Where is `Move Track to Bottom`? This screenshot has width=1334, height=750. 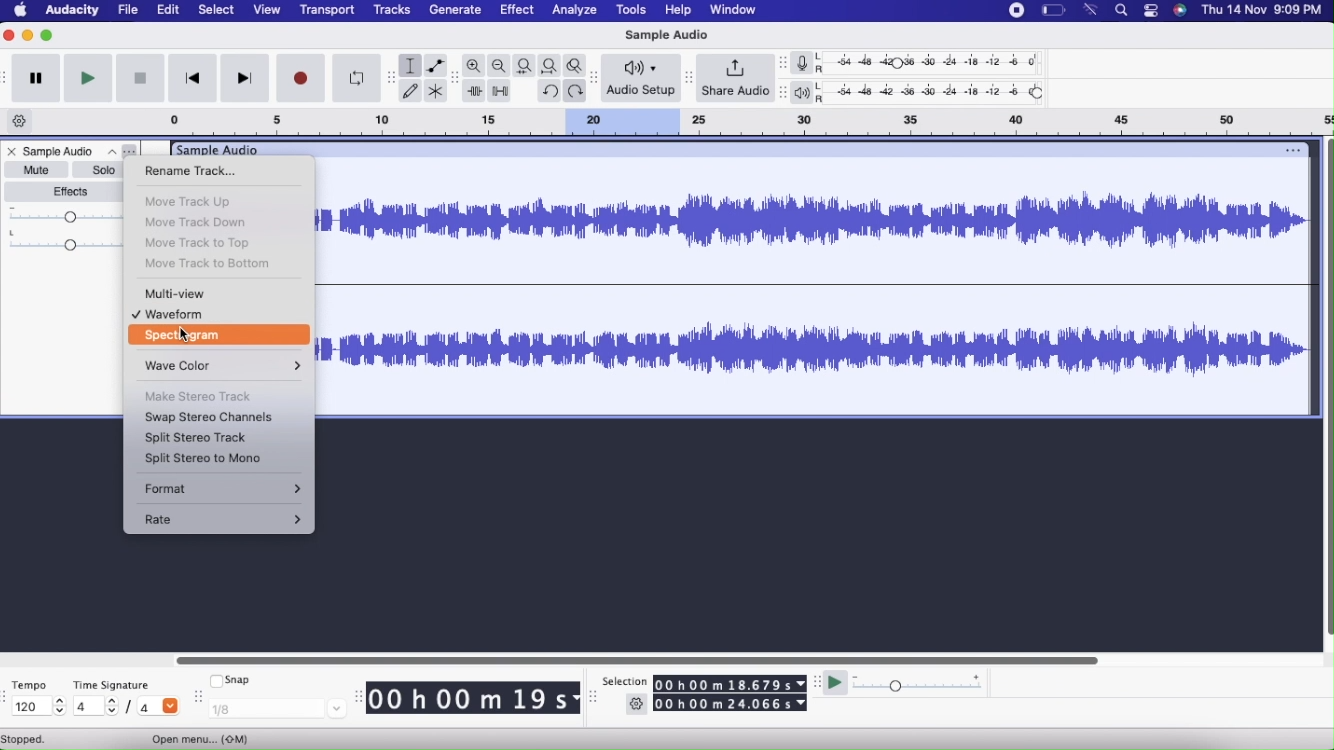 Move Track to Bottom is located at coordinates (209, 265).